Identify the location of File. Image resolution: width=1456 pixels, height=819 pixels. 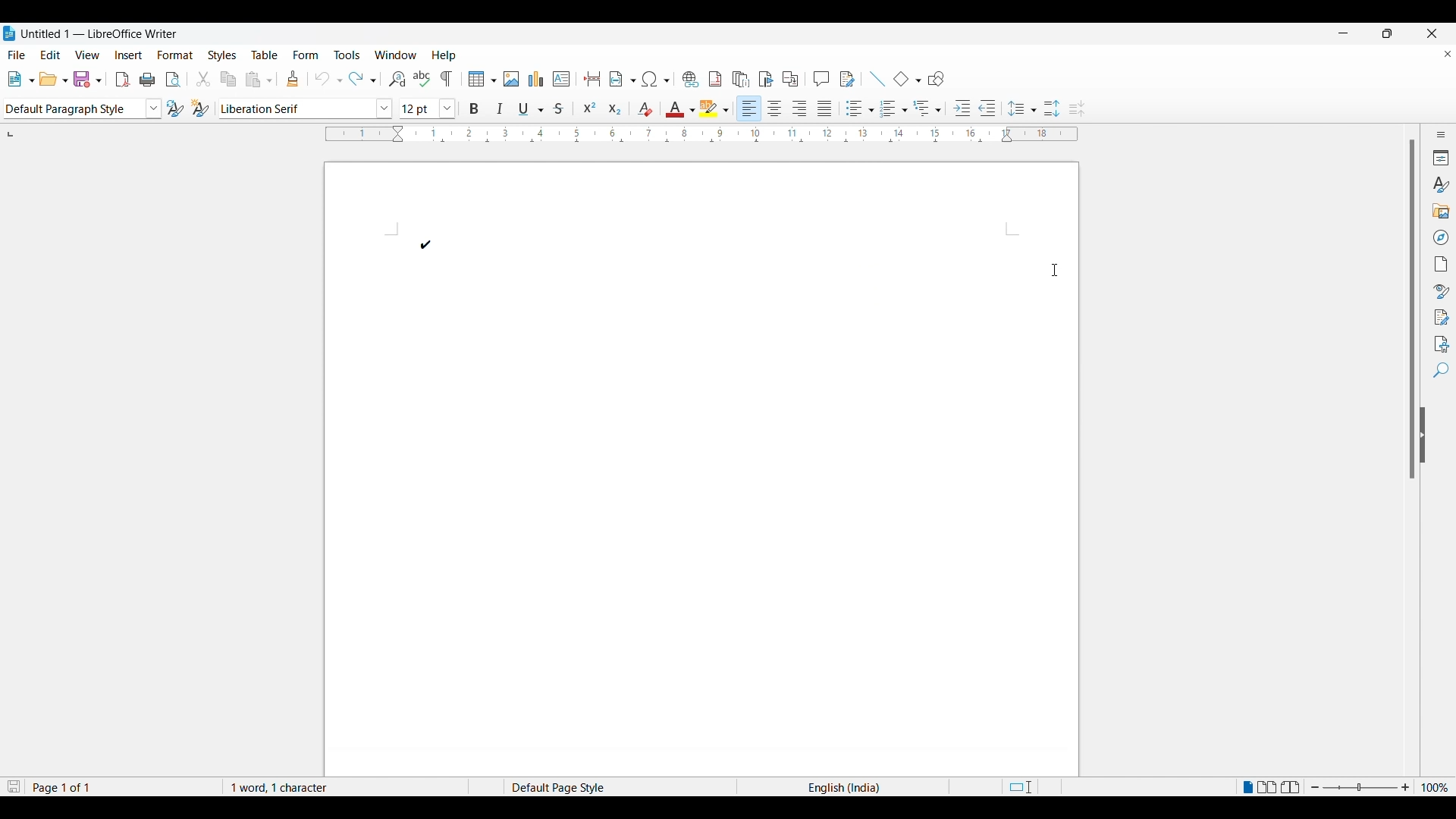
(17, 53).